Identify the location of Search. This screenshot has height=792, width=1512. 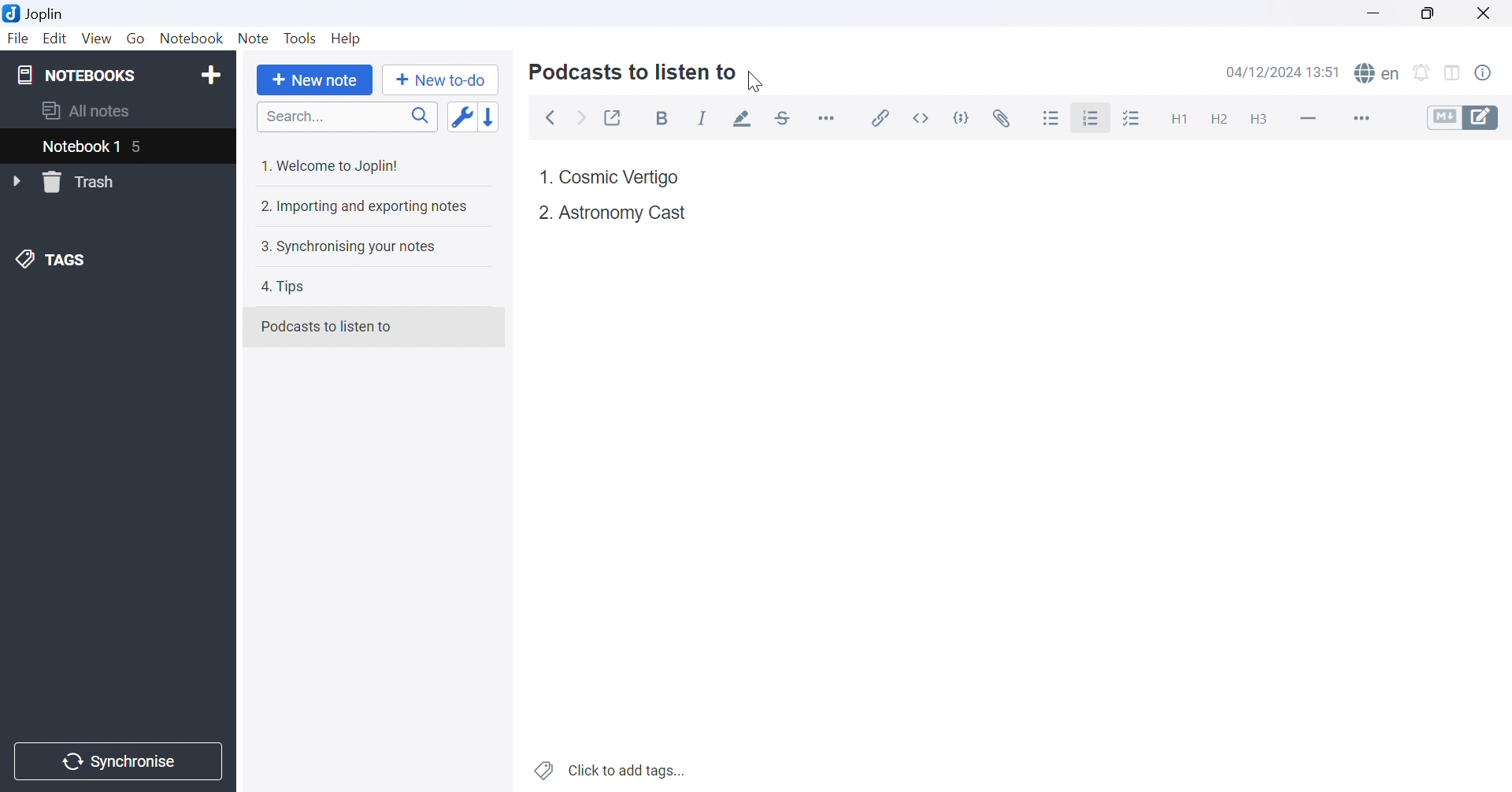
(346, 117).